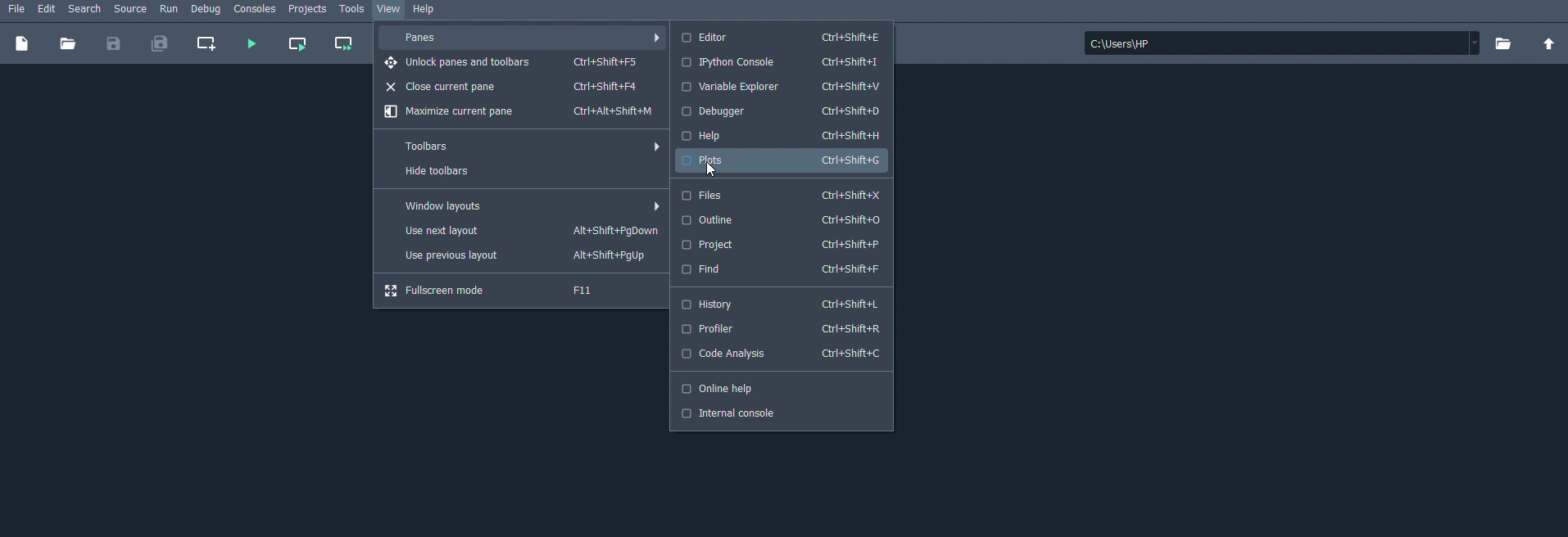 This screenshot has width=1568, height=537. I want to click on File location: c:\users\hp, so click(1284, 43).